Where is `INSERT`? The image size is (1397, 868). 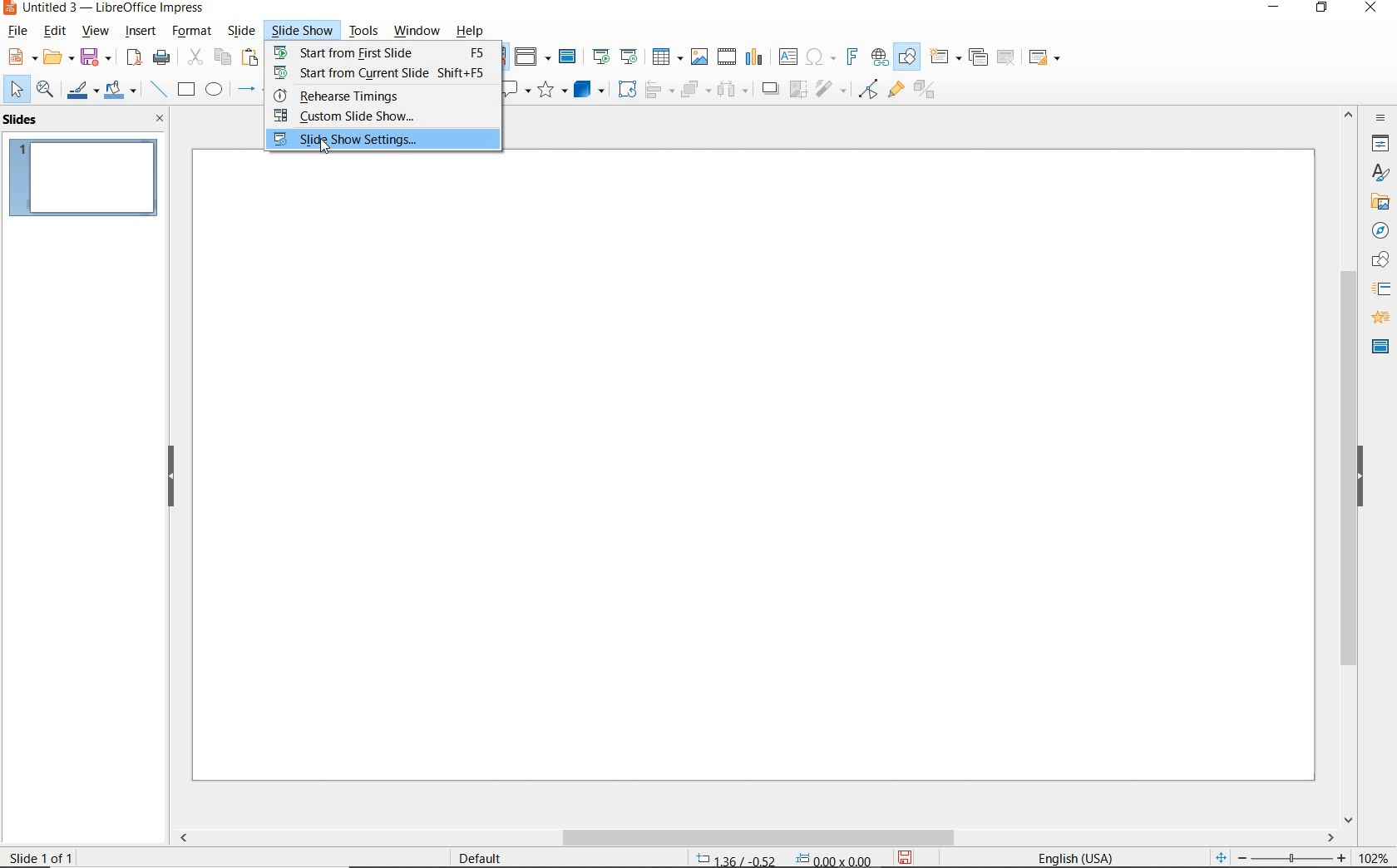
INSERT is located at coordinates (141, 32).